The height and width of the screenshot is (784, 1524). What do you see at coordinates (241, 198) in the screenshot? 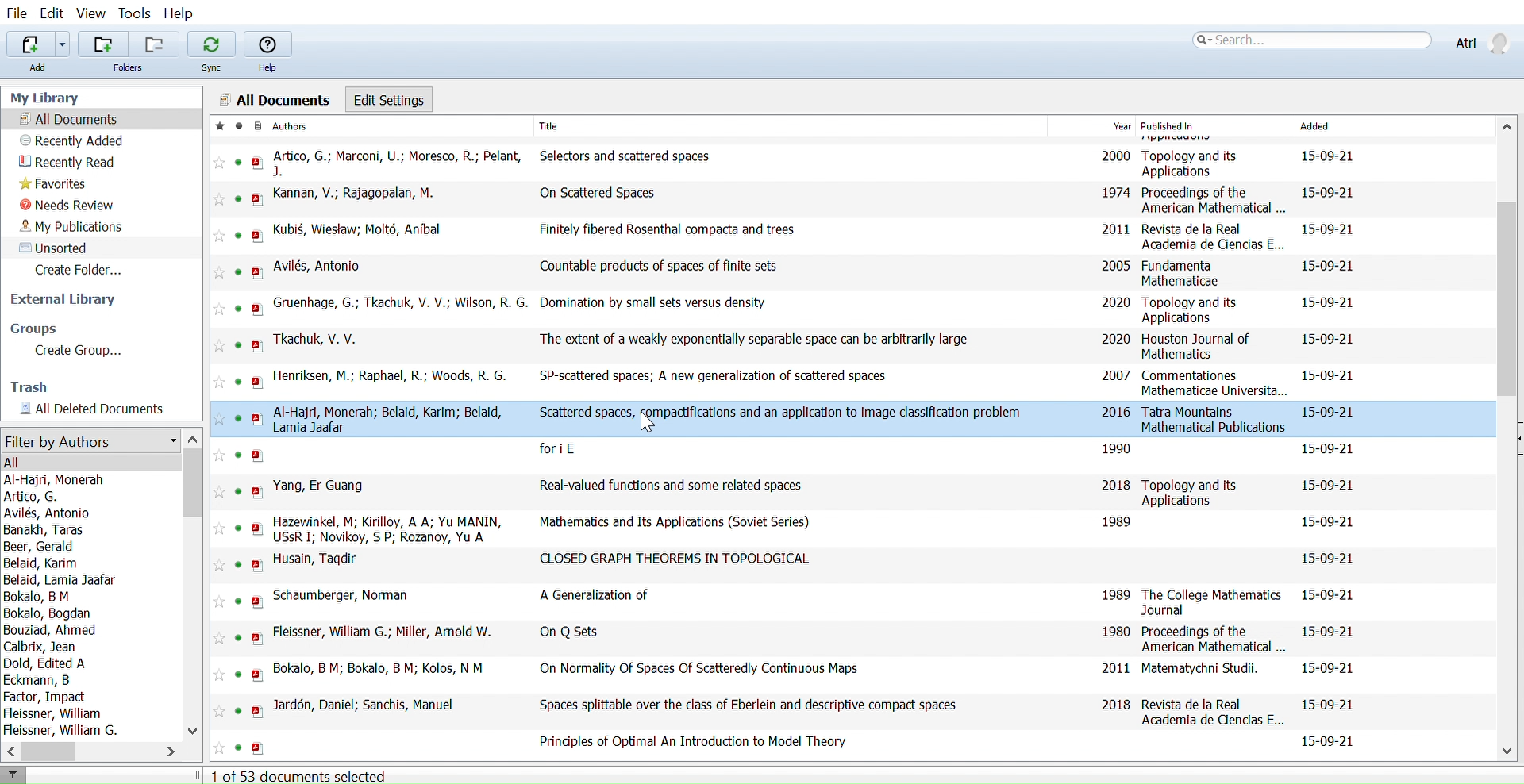
I see `status` at bounding box center [241, 198].